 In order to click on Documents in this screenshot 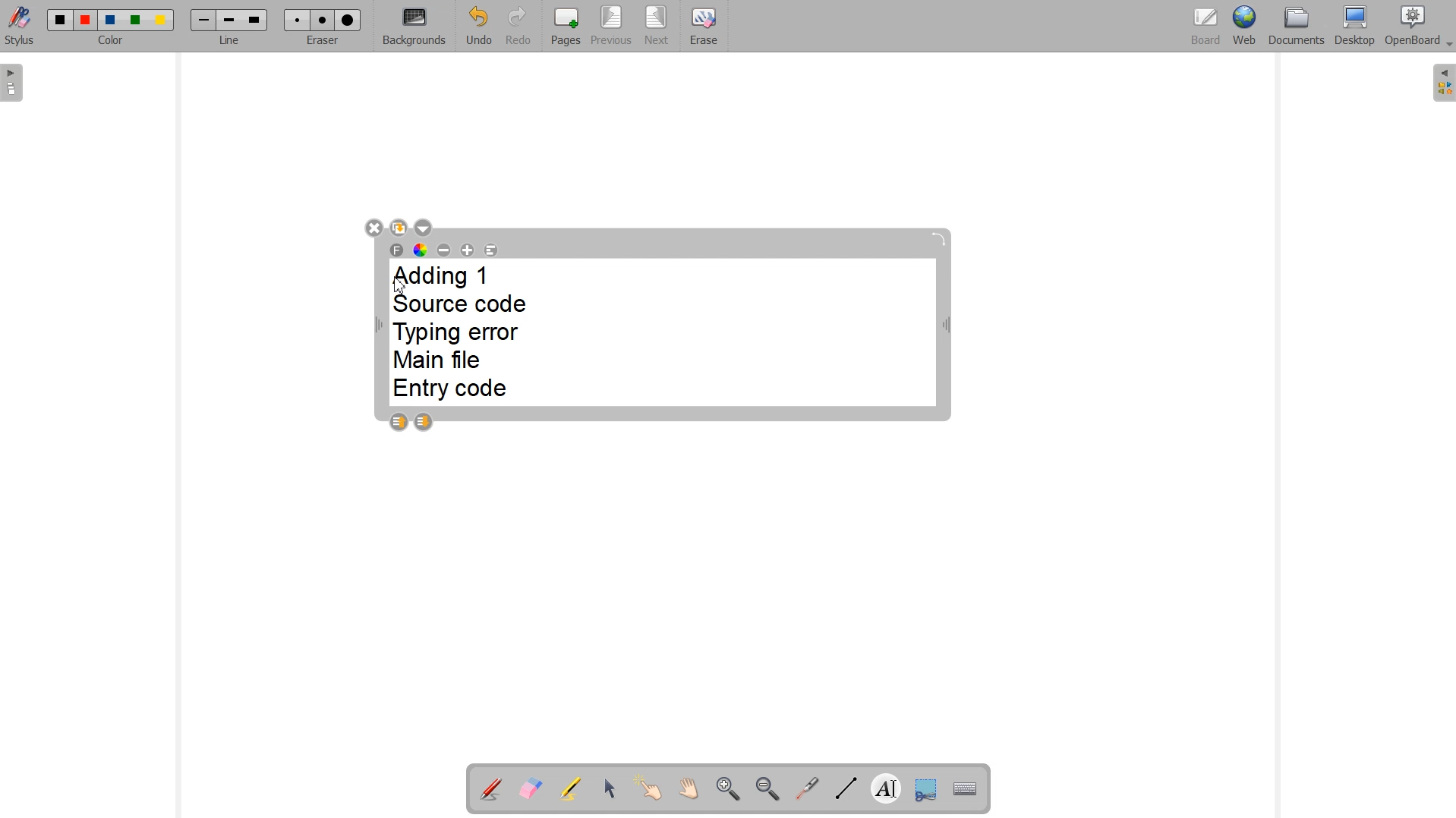, I will do `click(1297, 27)`.